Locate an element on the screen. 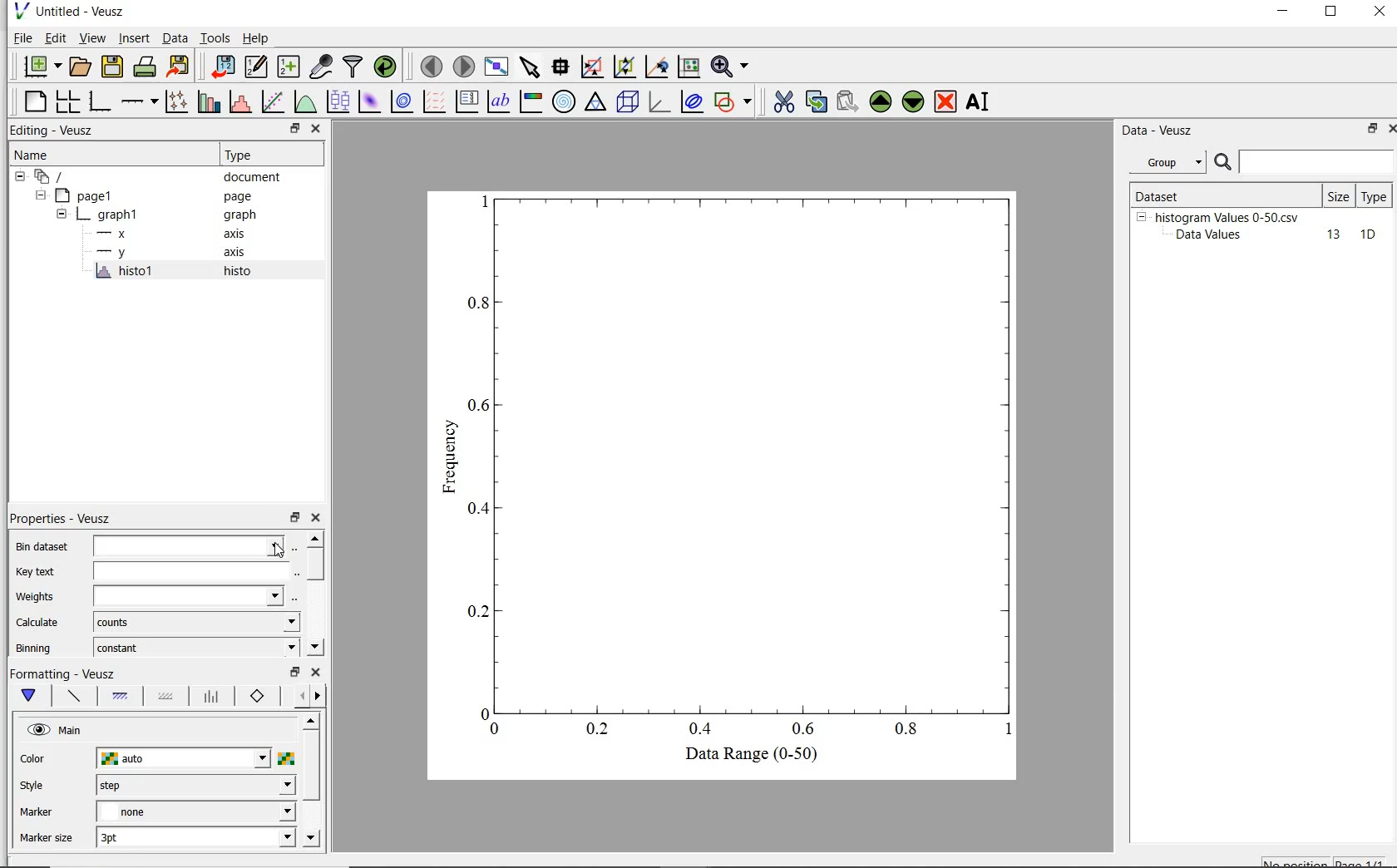 This screenshot has width=1397, height=868. axis is located at coordinates (241, 234).